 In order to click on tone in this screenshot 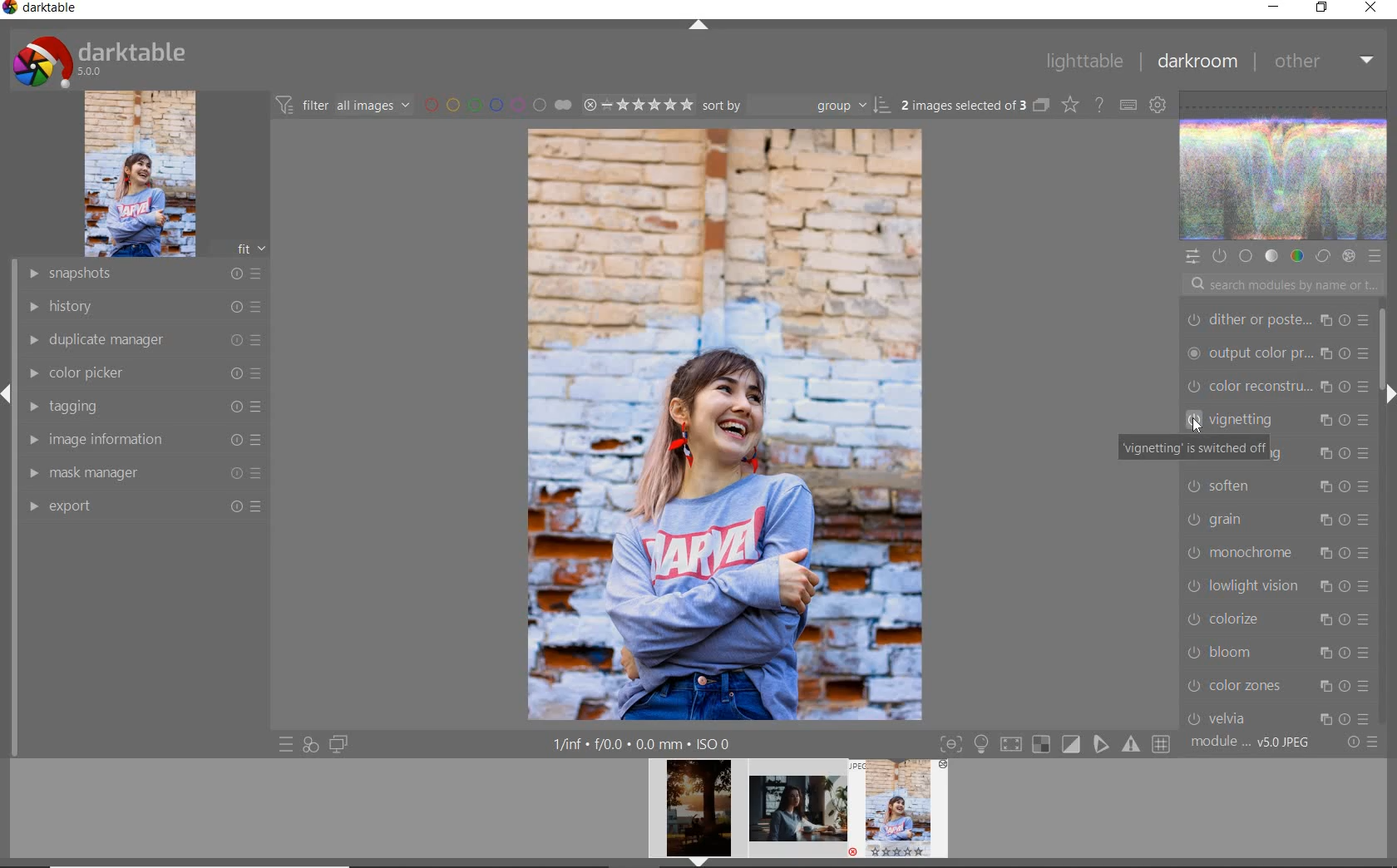, I will do `click(1272, 257)`.